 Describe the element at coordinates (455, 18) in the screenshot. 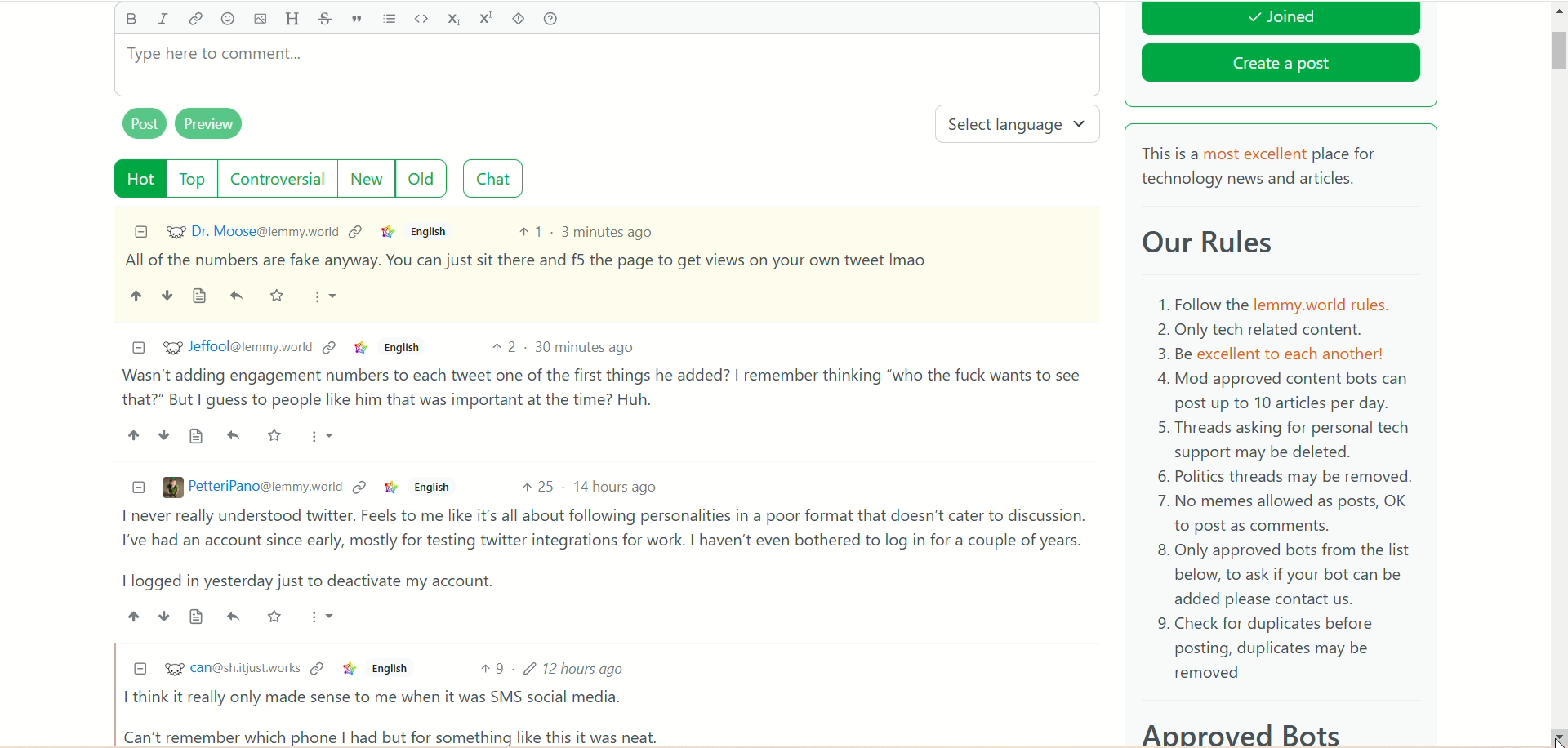

I see `subscript` at that location.